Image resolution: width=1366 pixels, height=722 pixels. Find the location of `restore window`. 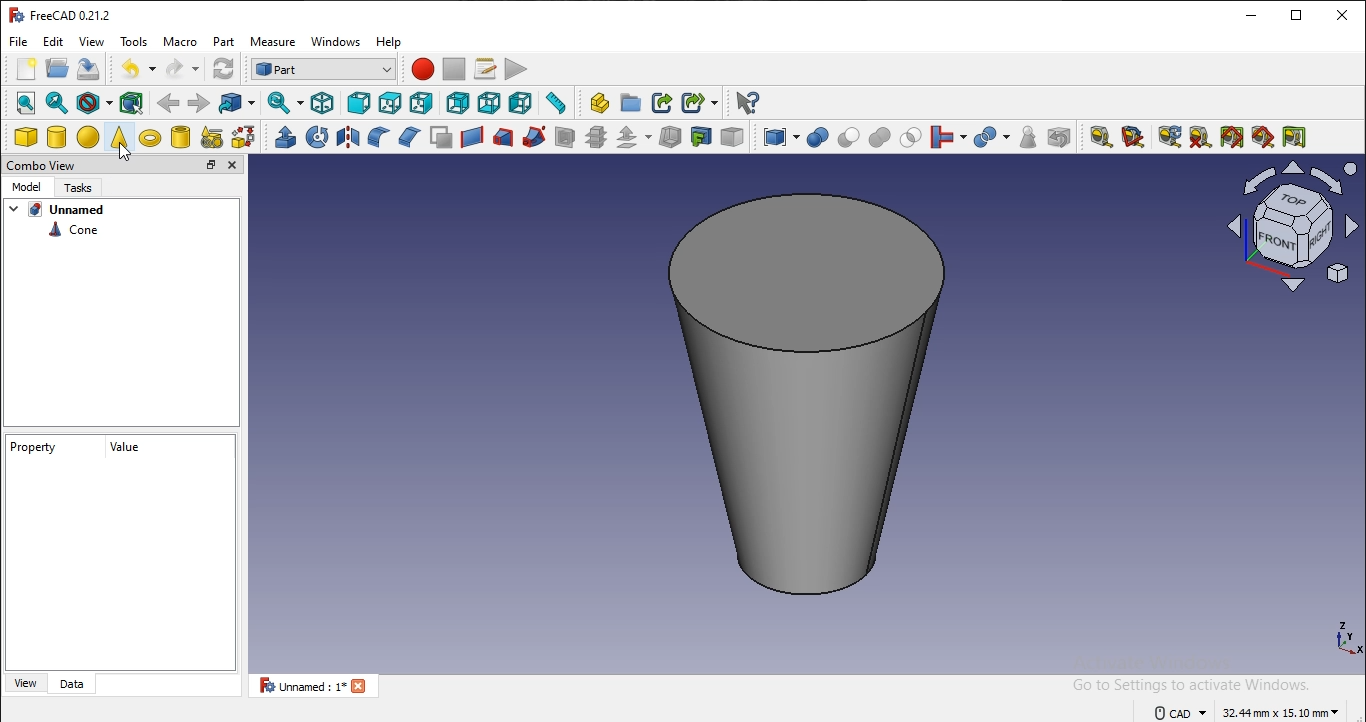

restore window is located at coordinates (1297, 15).